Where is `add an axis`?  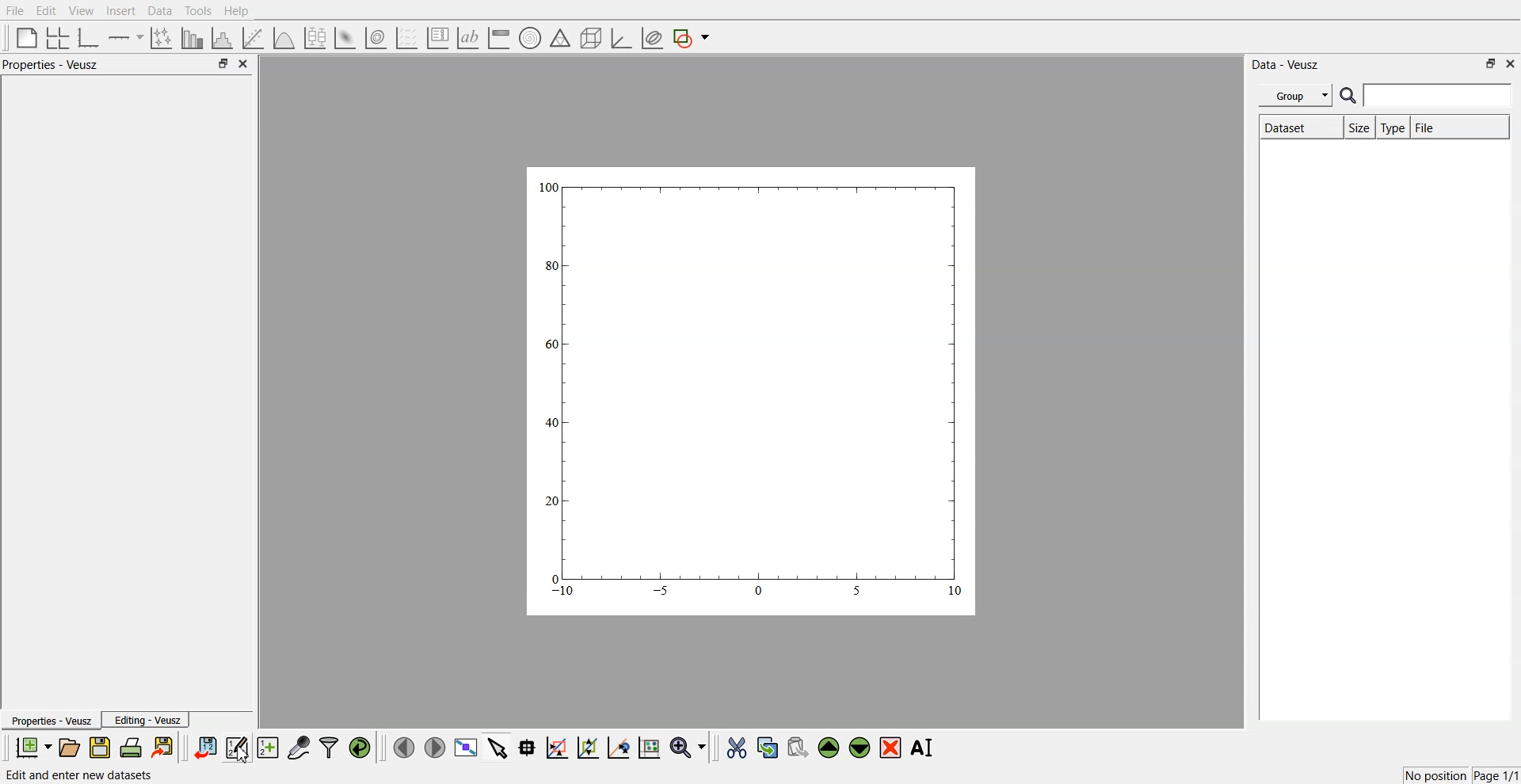 add an axis is located at coordinates (127, 37).